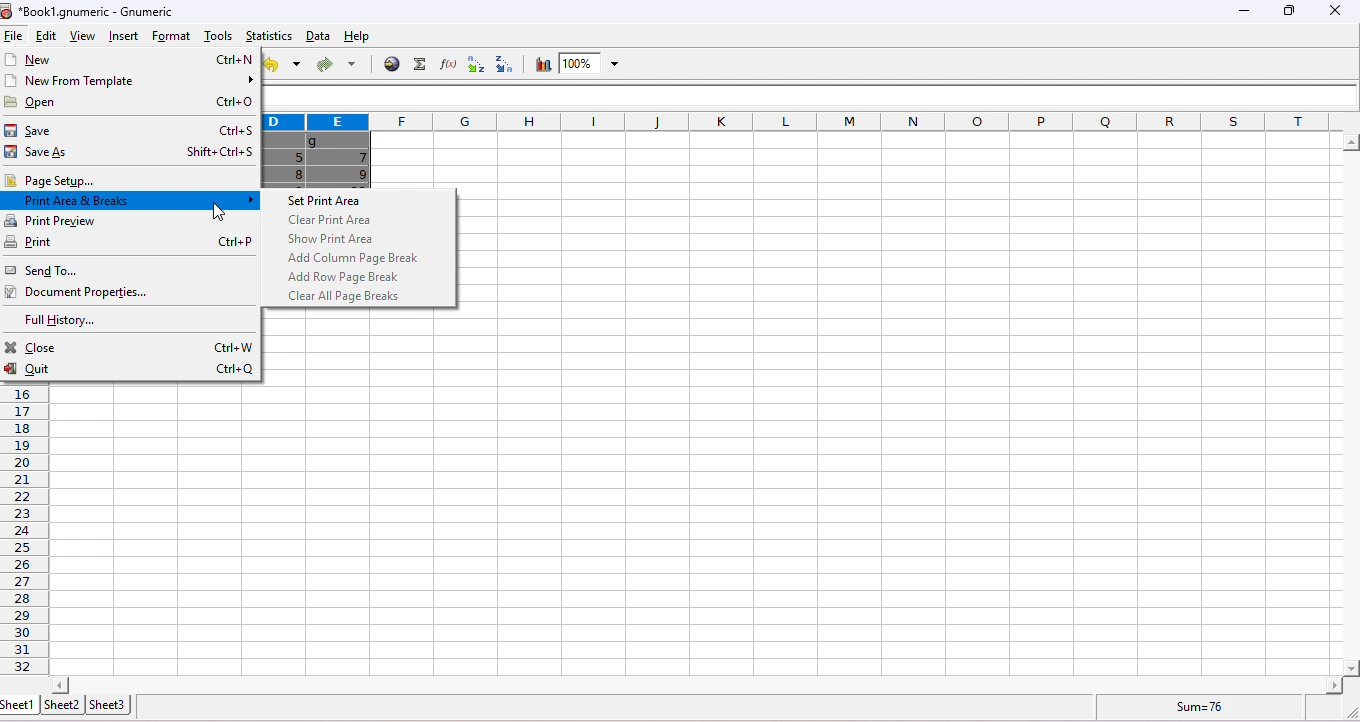 This screenshot has height=722, width=1360. I want to click on column headings, so click(803, 122).